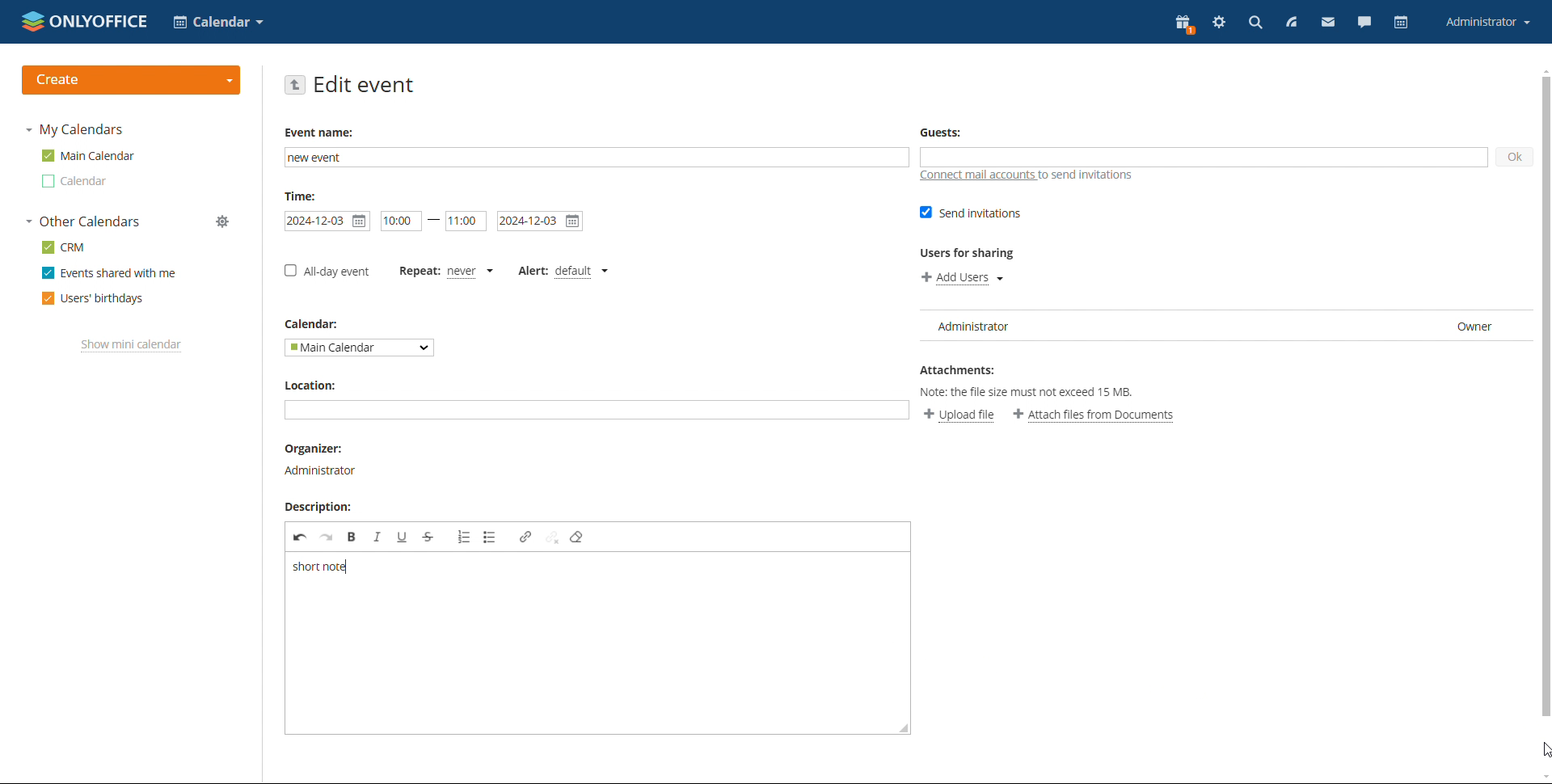  I want to click on go back, so click(296, 85).